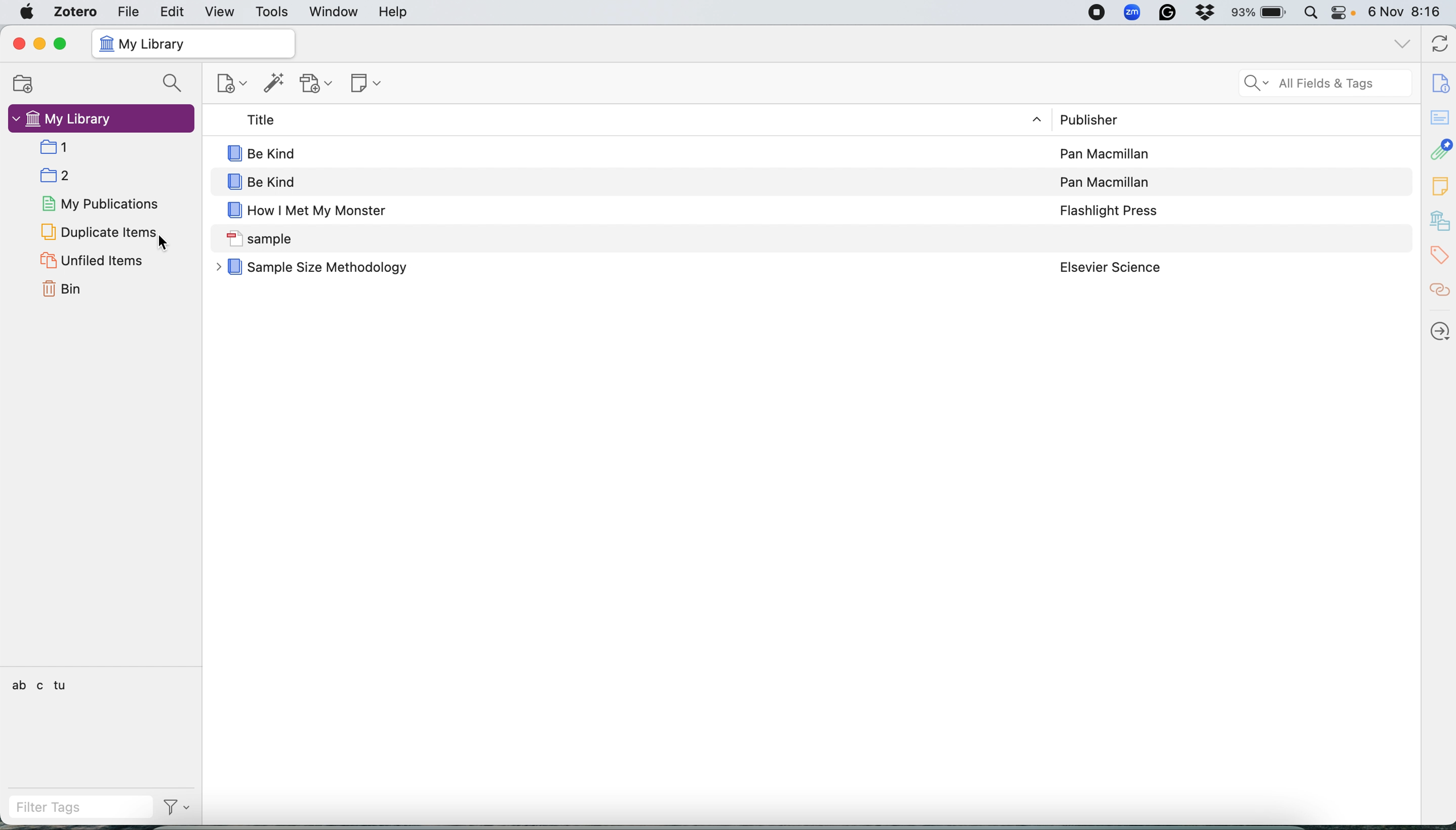 This screenshot has width=1456, height=830. Describe the element at coordinates (172, 82) in the screenshot. I see `search` at that location.